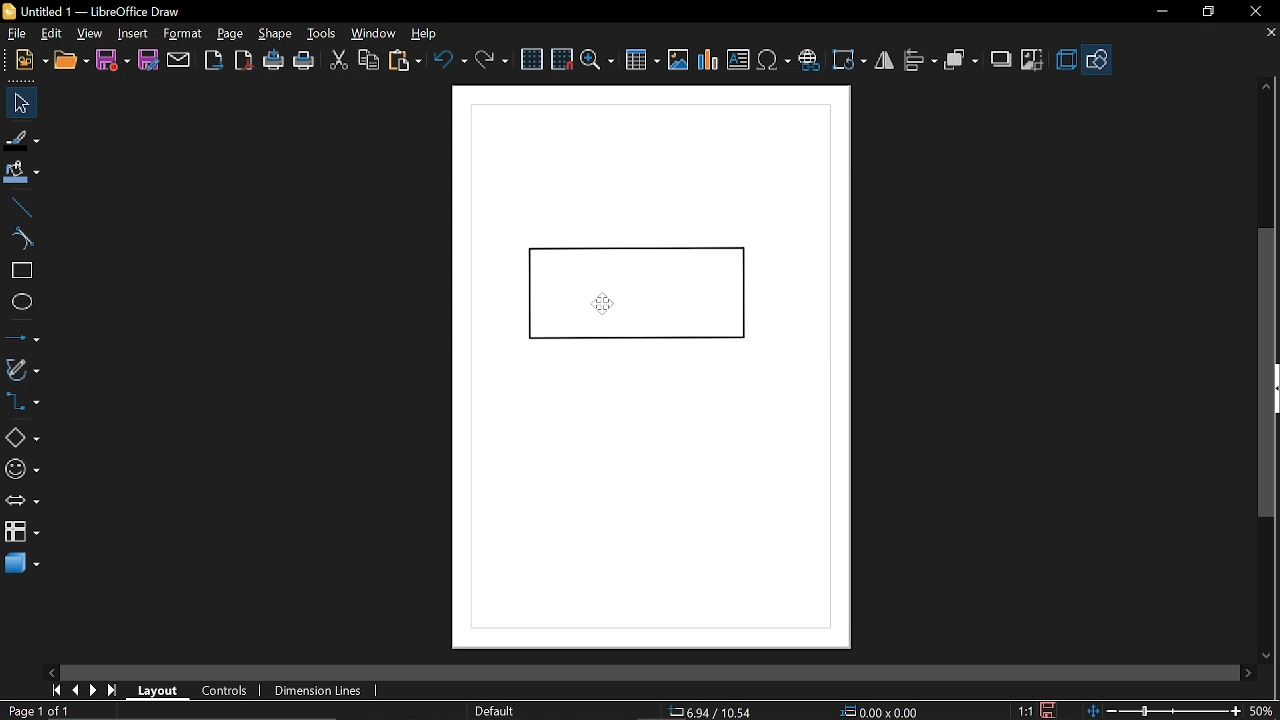  What do you see at coordinates (712, 710) in the screenshot?
I see `Co-ordinate` at bounding box center [712, 710].